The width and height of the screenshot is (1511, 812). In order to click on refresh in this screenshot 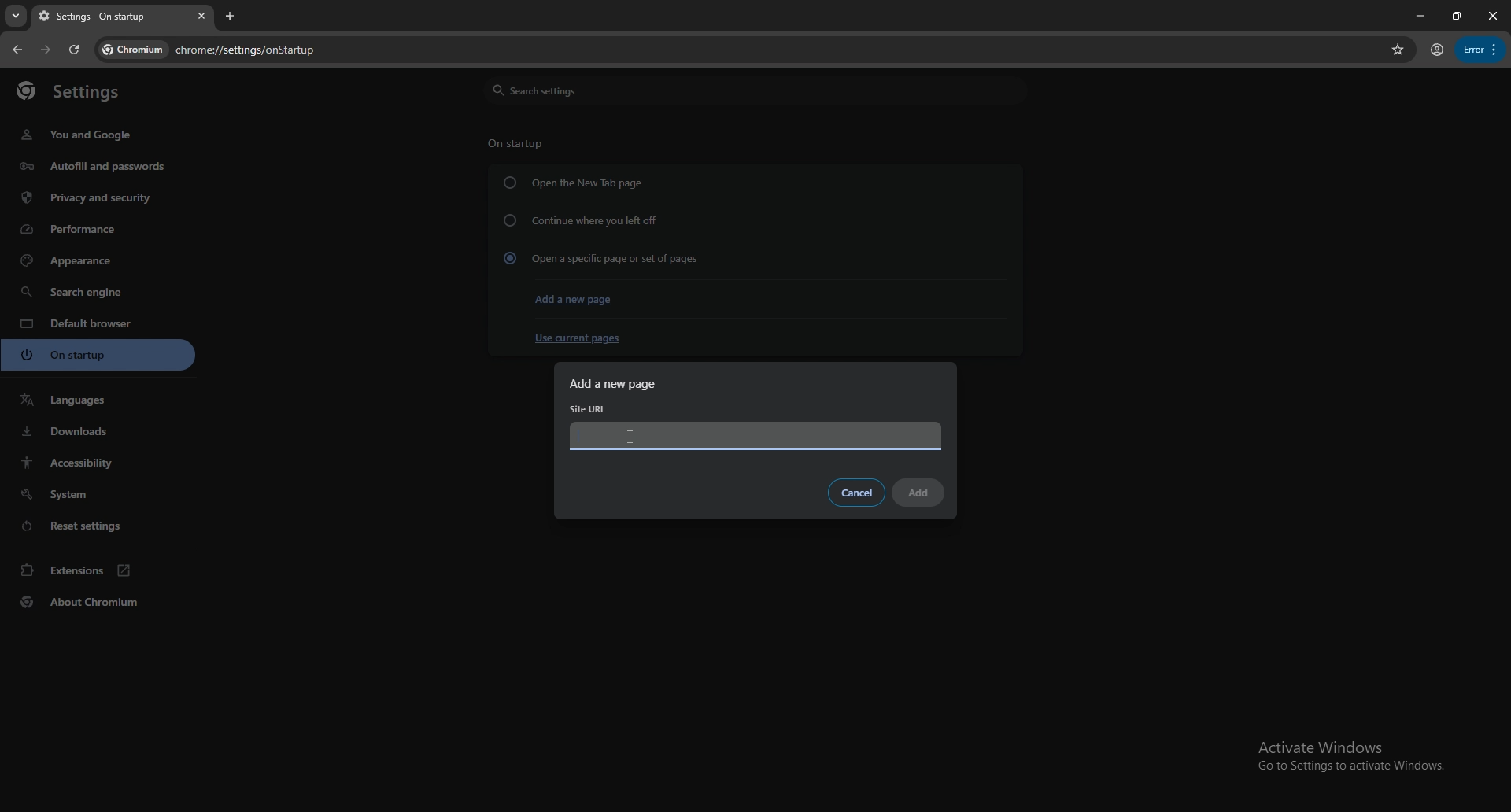, I will do `click(74, 50)`.